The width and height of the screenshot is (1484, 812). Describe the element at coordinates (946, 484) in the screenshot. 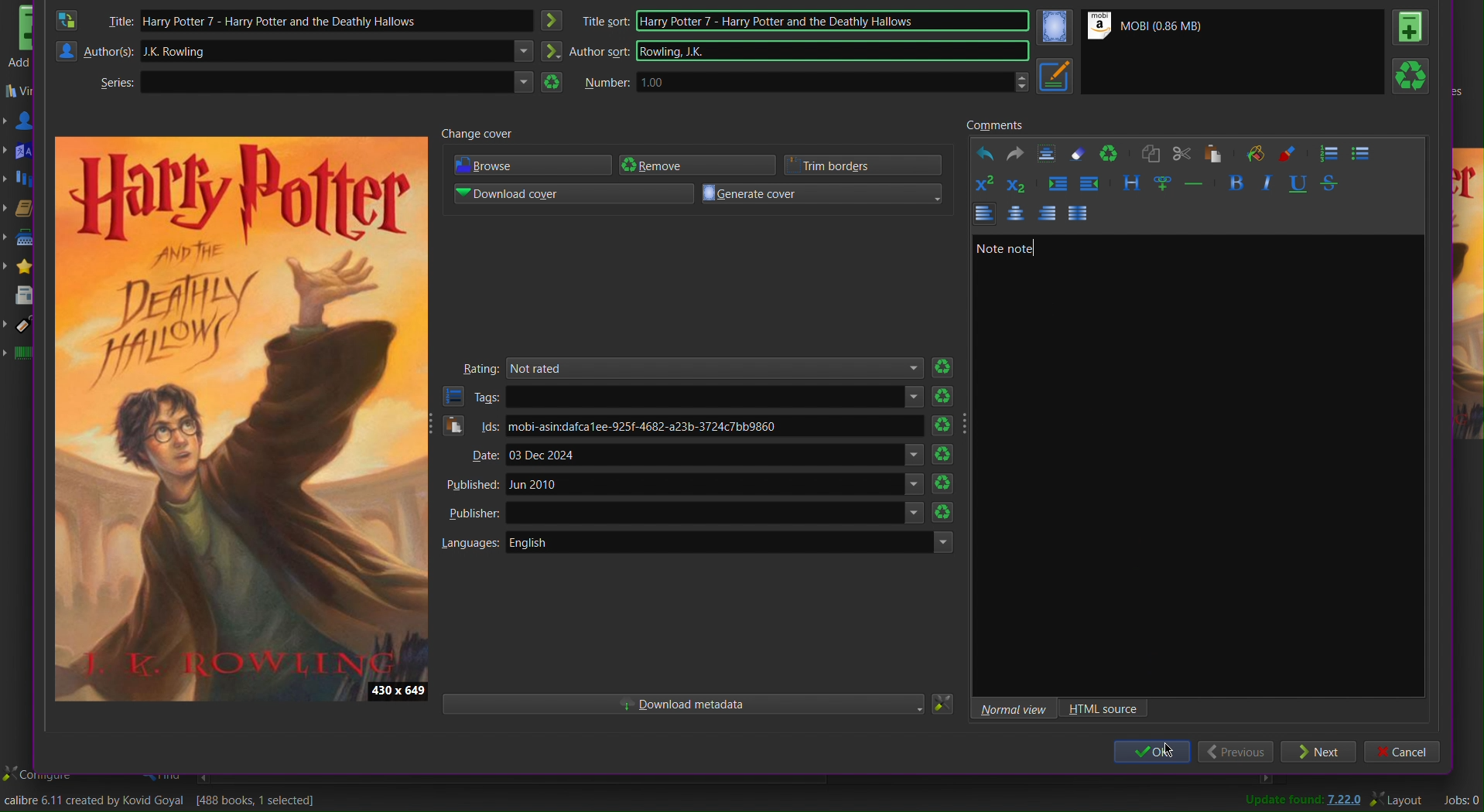

I see `refresh` at that location.